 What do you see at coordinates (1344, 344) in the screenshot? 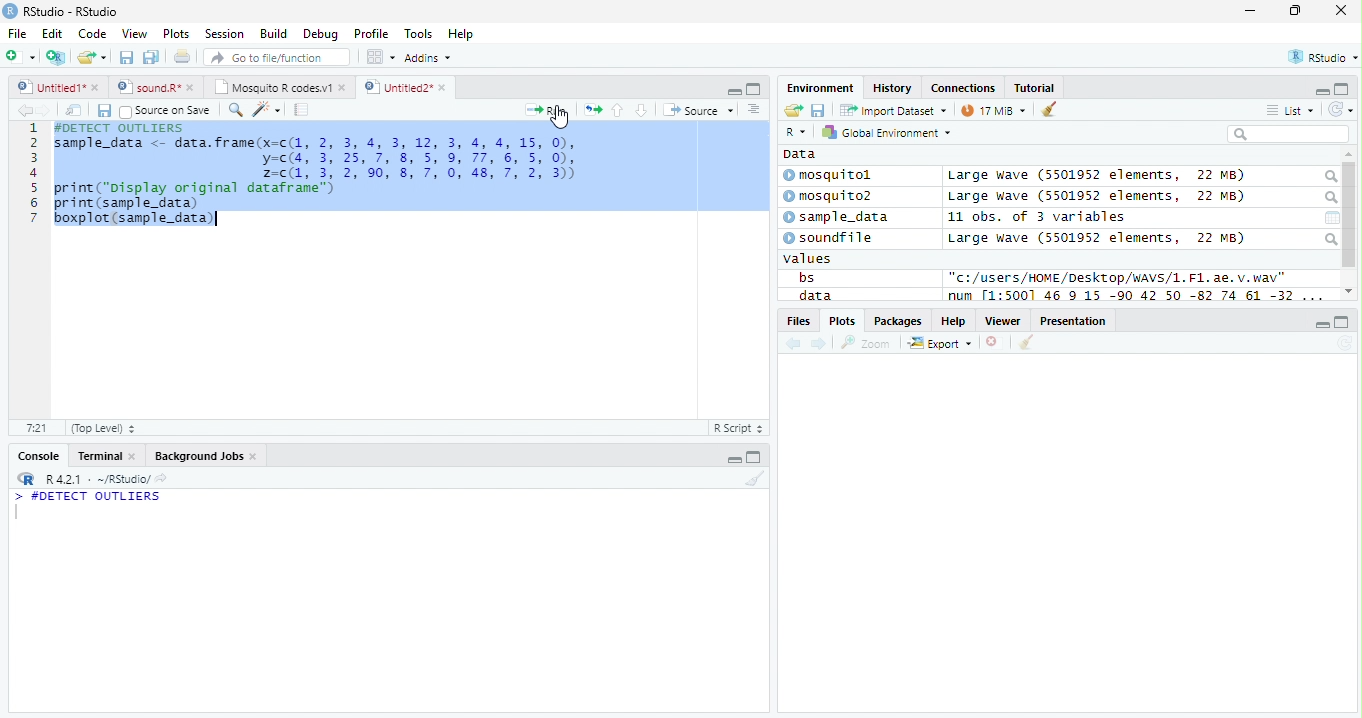
I see `Refresh` at bounding box center [1344, 344].